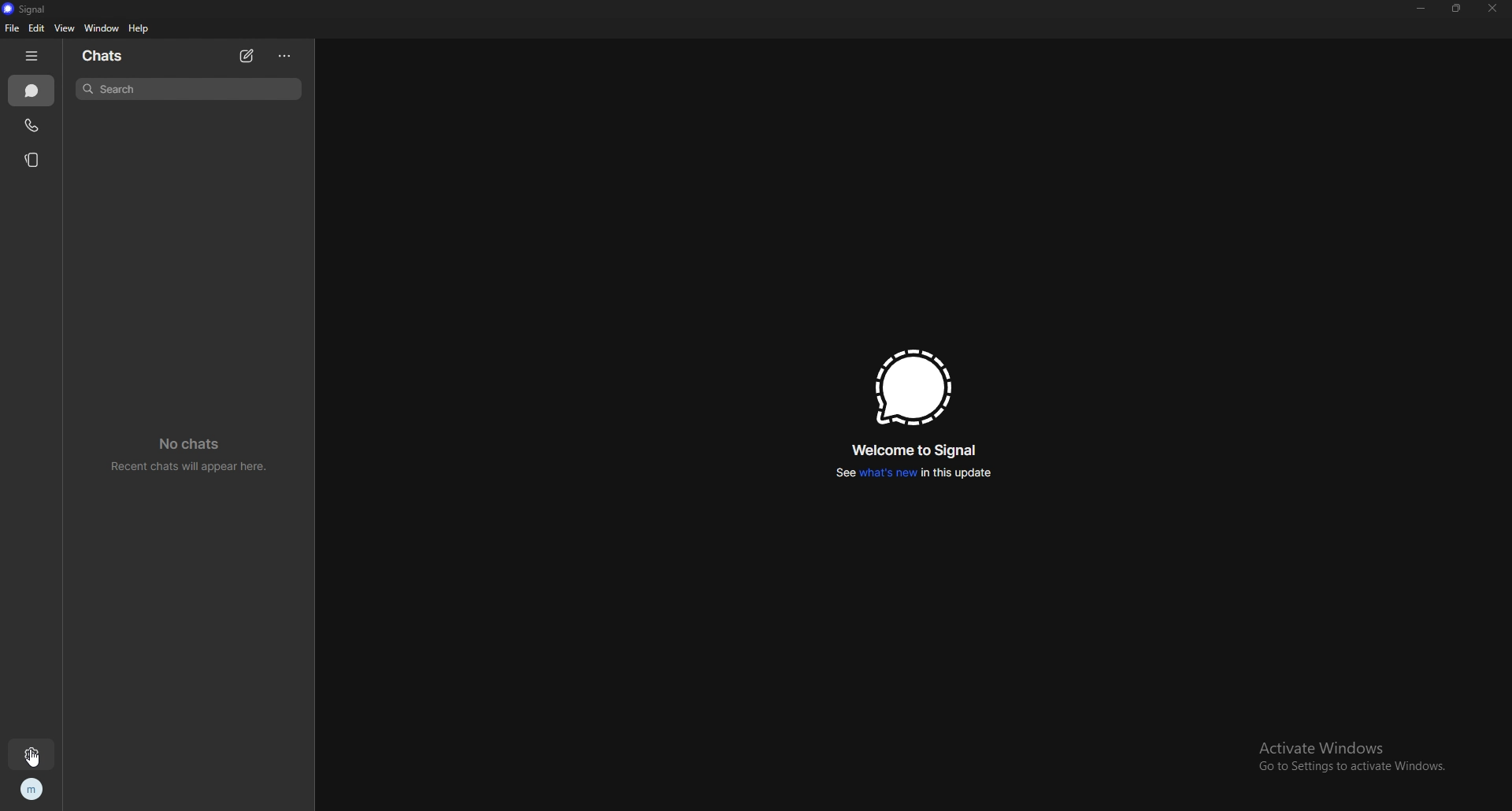  What do you see at coordinates (31, 791) in the screenshot?
I see `profile` at bounding box center [31, 791].